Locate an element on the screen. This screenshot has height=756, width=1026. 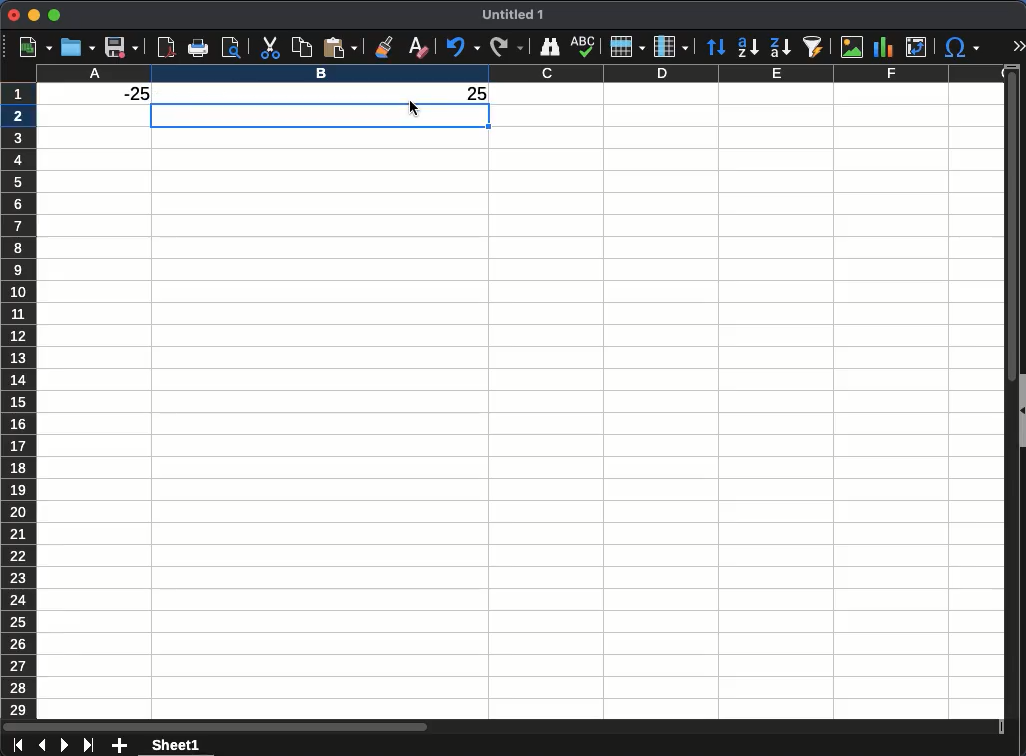
pdf reader is located at coordinates (168, 47).